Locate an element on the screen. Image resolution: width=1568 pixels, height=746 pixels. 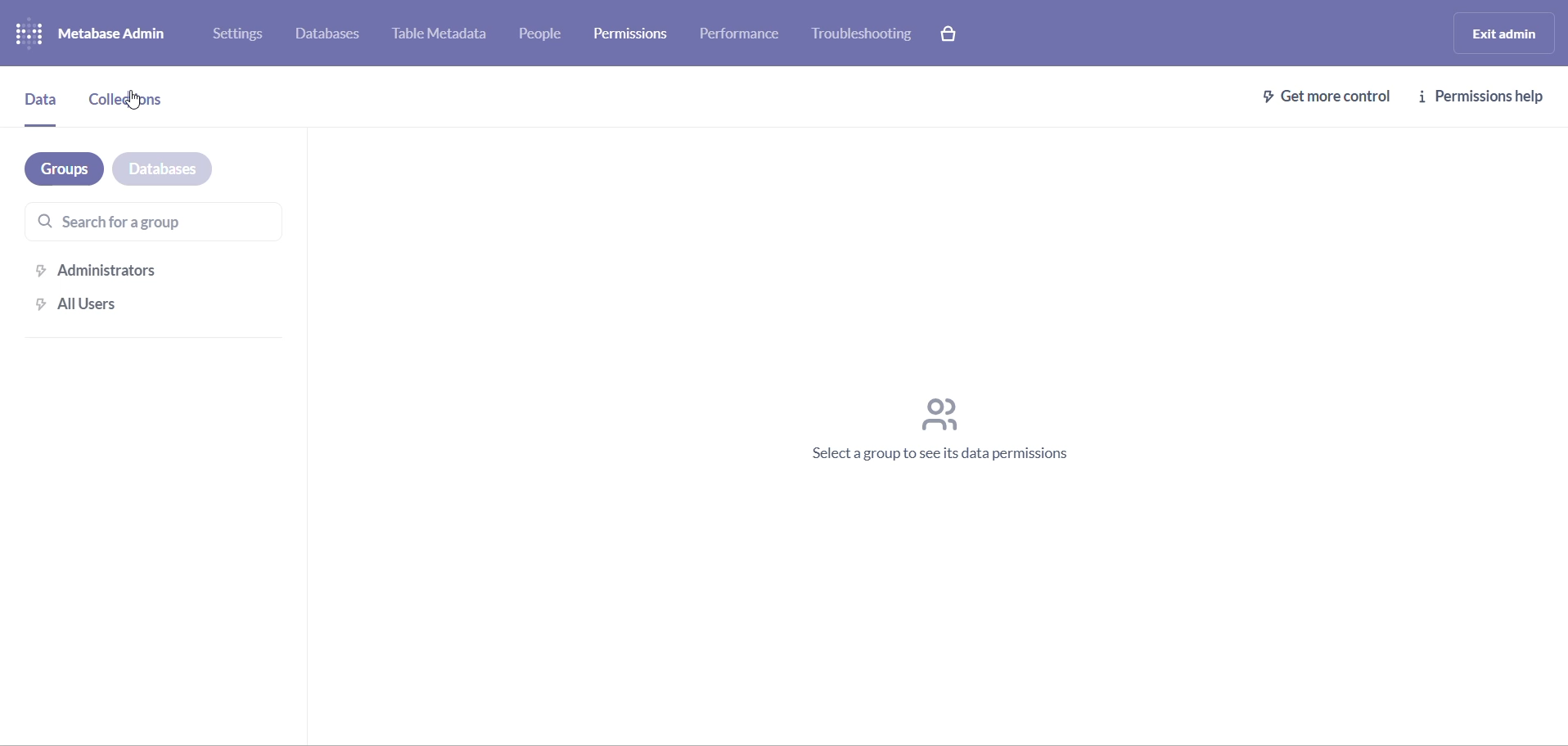
table metadata is located at coordinates (447, 36).